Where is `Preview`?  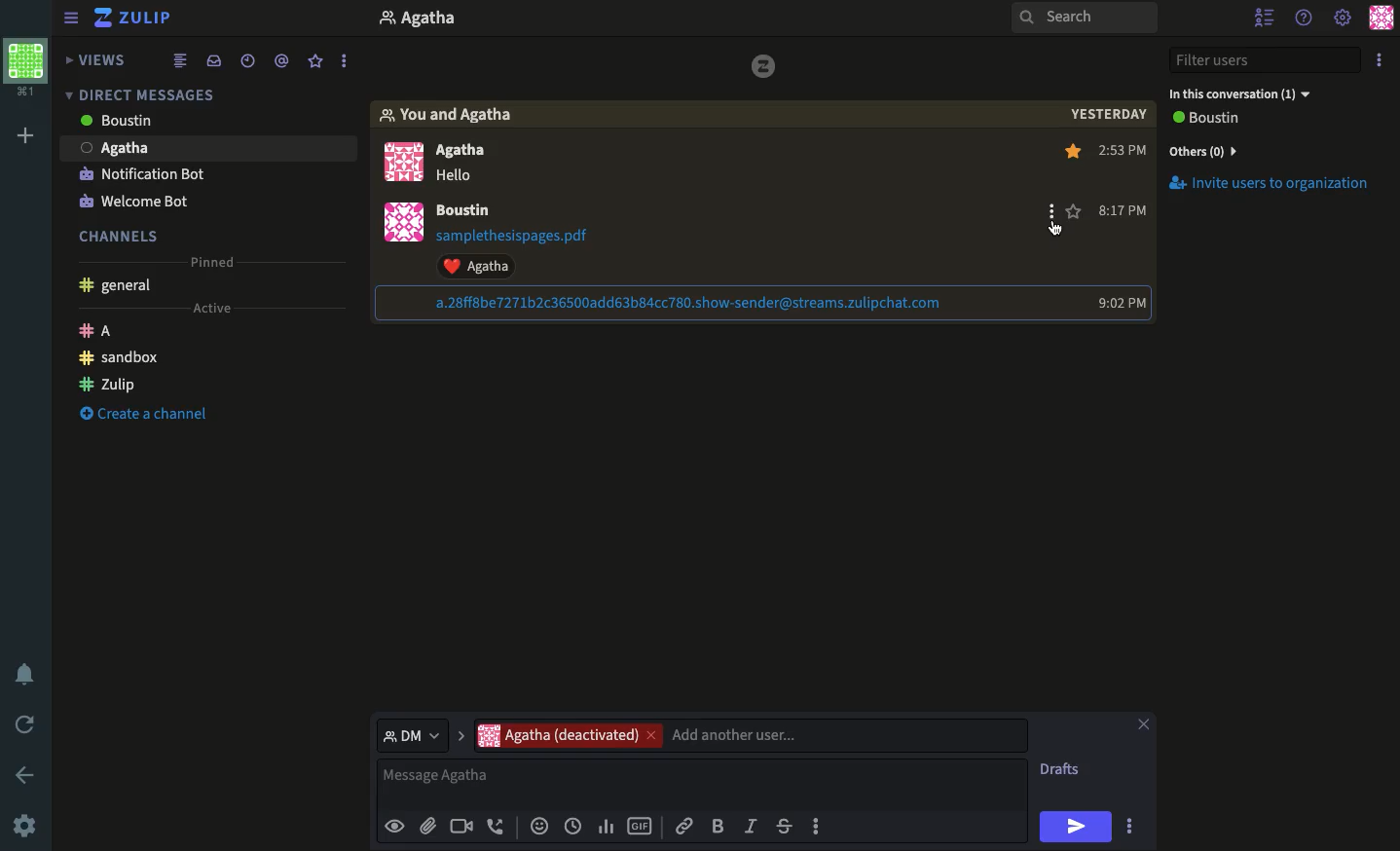 Preview is located at coordinates (394, 825).